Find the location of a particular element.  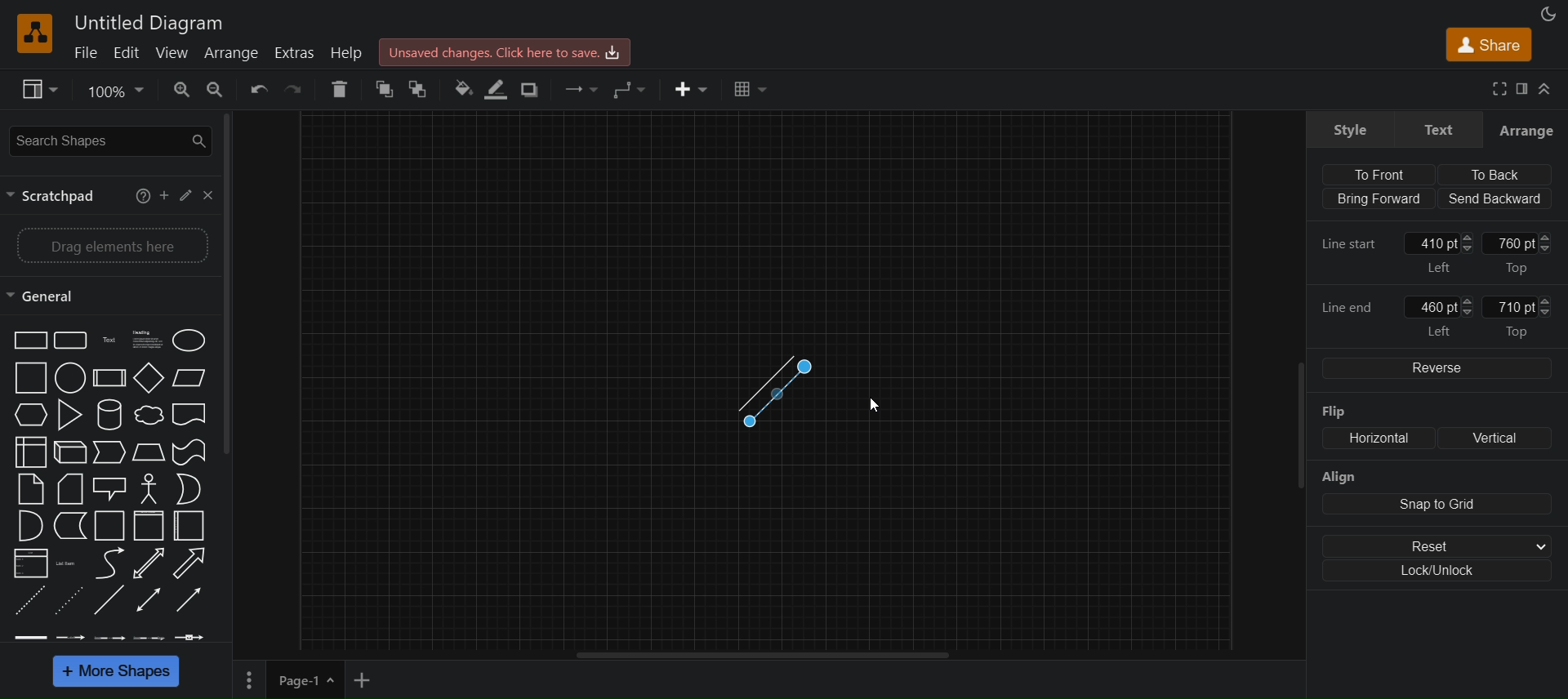

insert page is located at coordinates (365, 681).